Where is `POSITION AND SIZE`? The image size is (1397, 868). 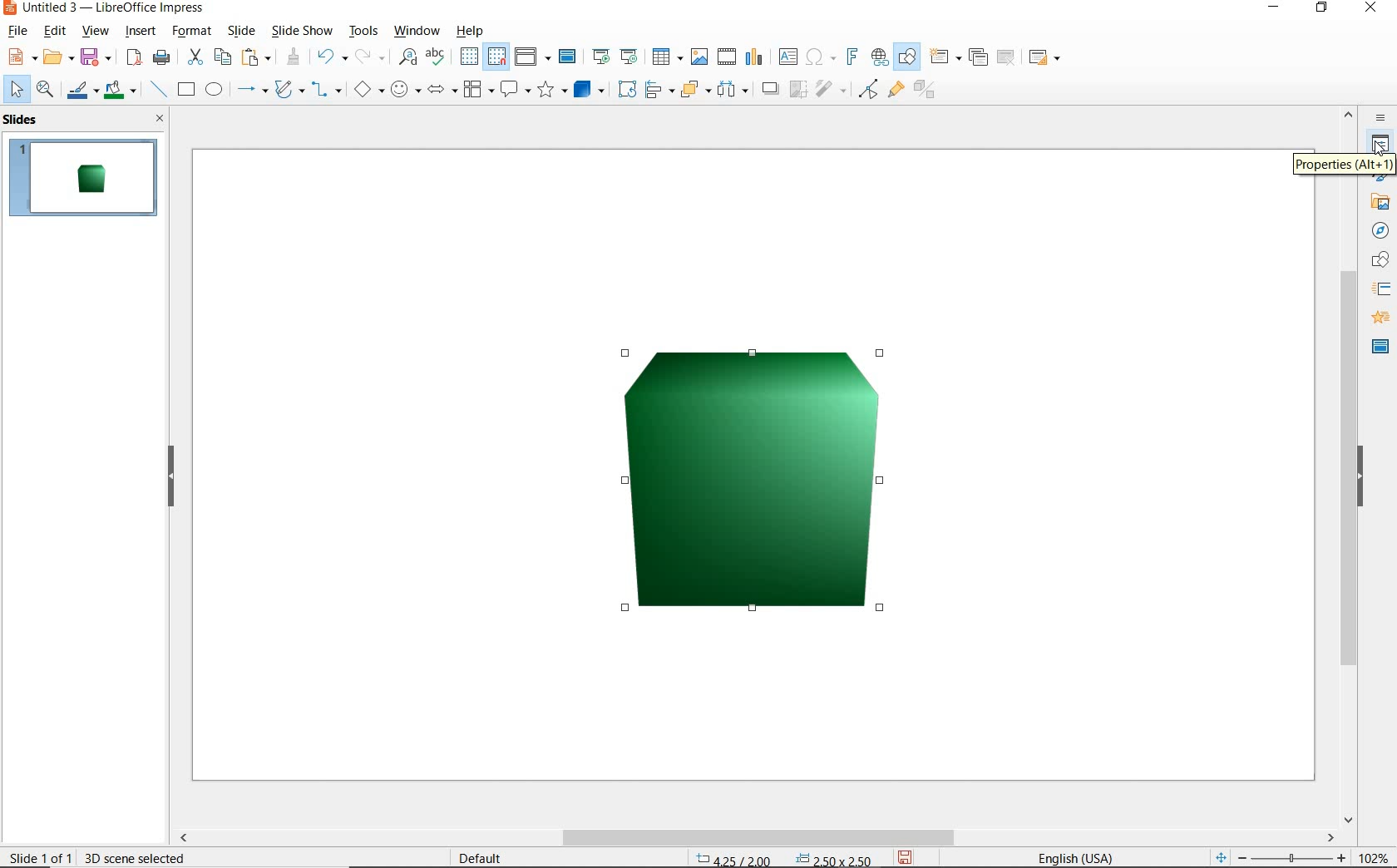
POSITION AND SIZE is located at coordinates (786, 857).